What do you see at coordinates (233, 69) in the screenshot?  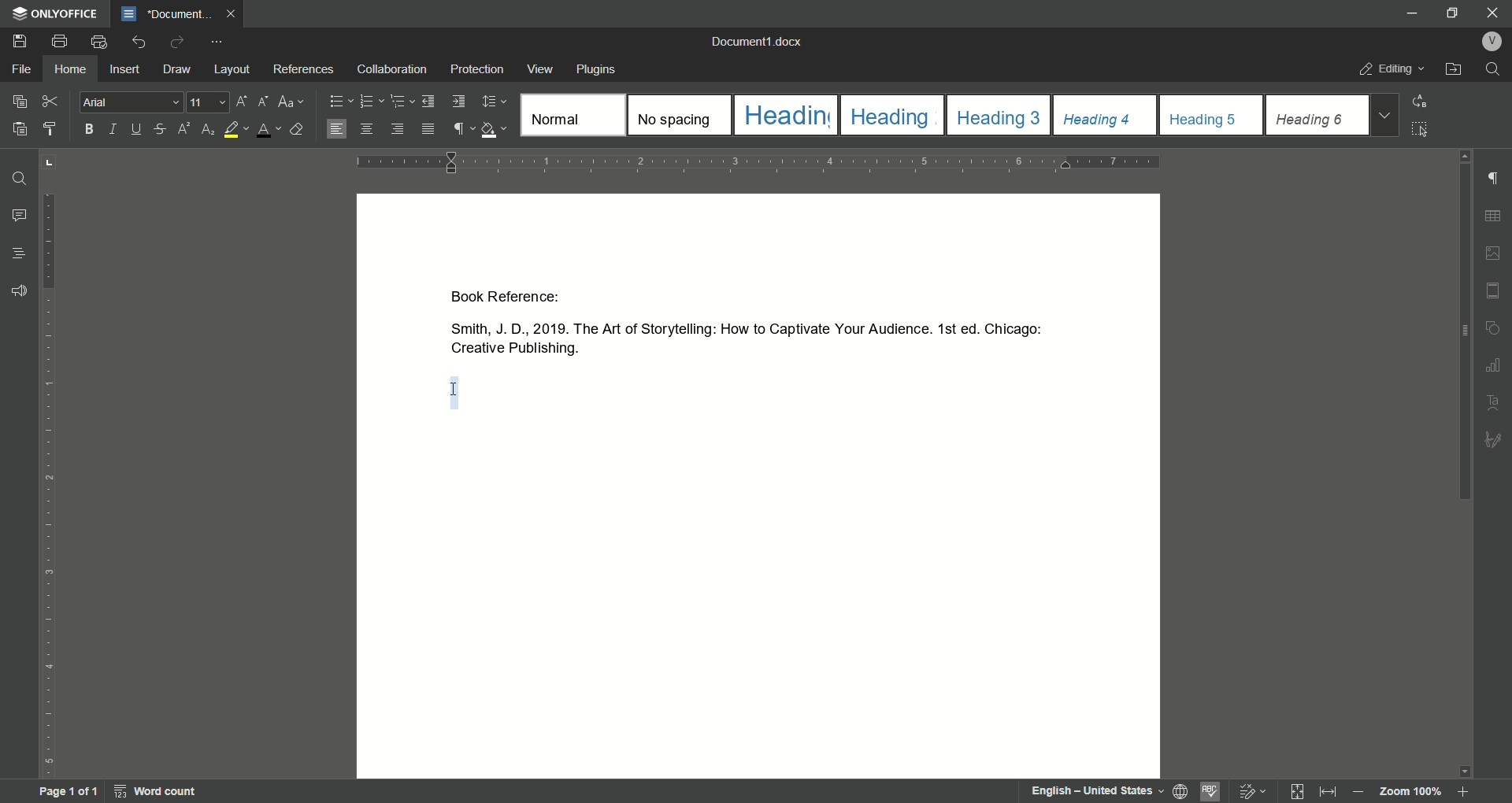 I see `layout` at bounding box center [233, 69].